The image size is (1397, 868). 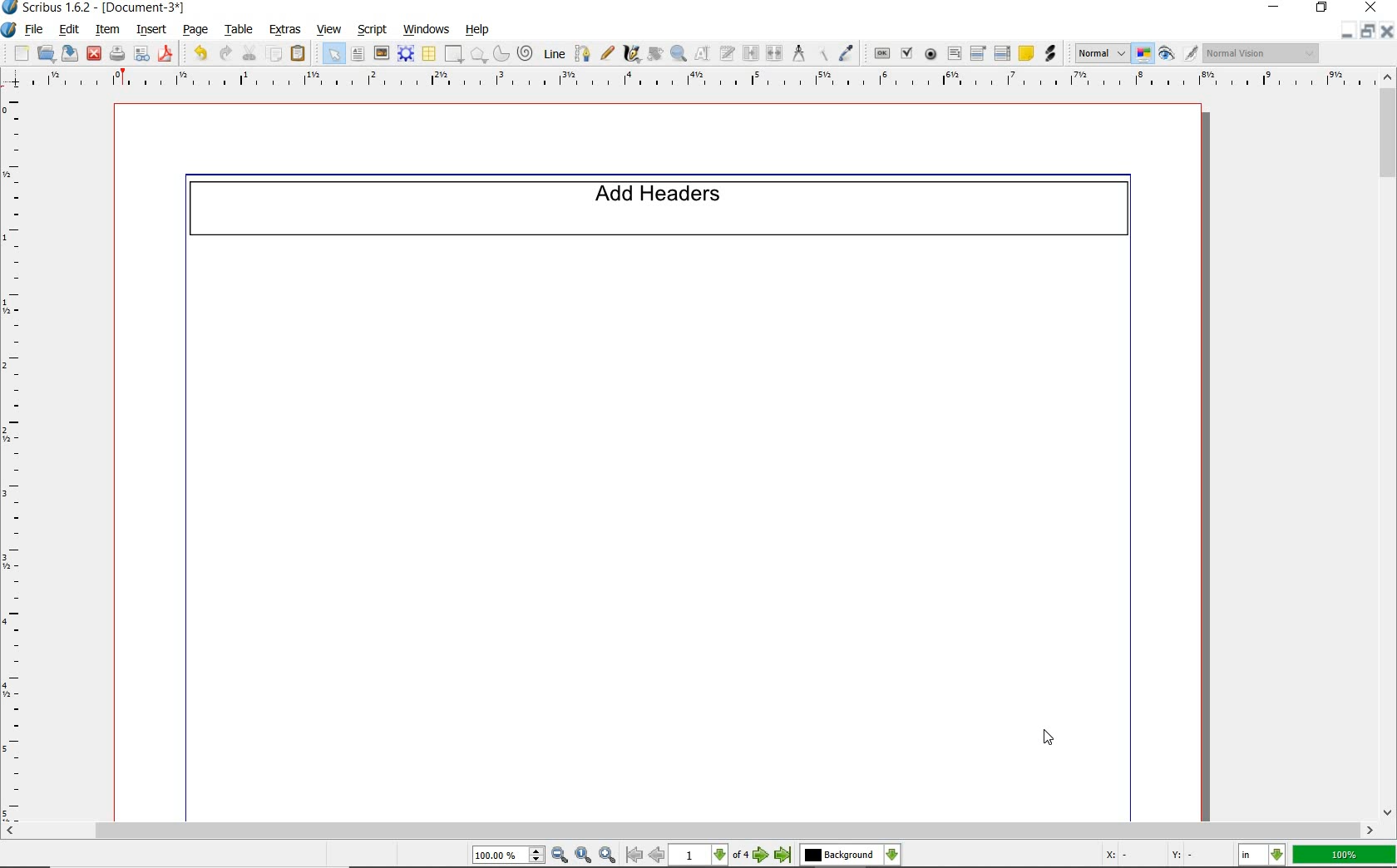 What do you see at coordinates (198, 54) in the screenshot?
I see `undo` at bounding box center [198, 54].